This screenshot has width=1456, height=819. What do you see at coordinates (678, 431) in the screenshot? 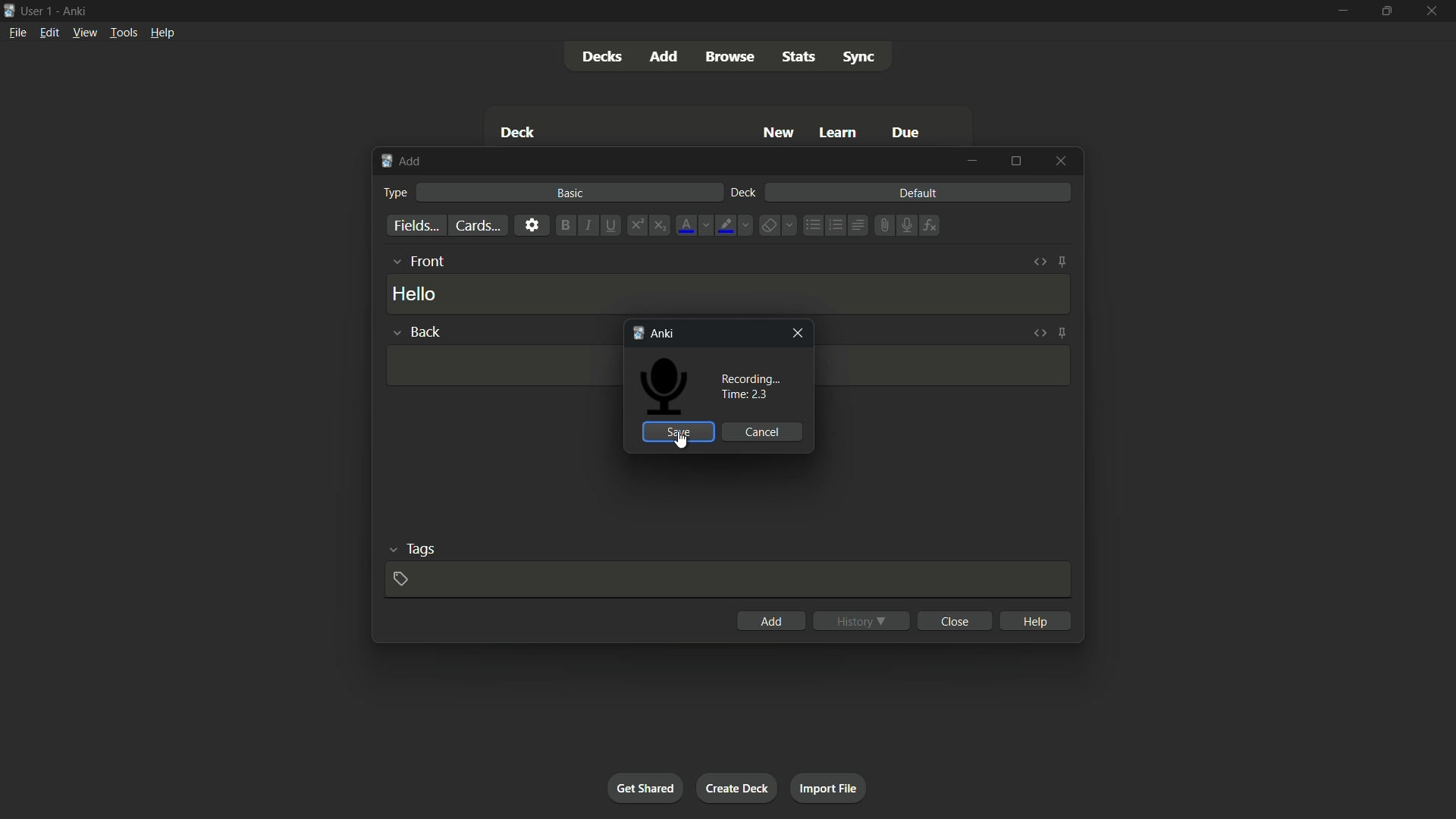
I see `save` at bounding box center [678, 431].